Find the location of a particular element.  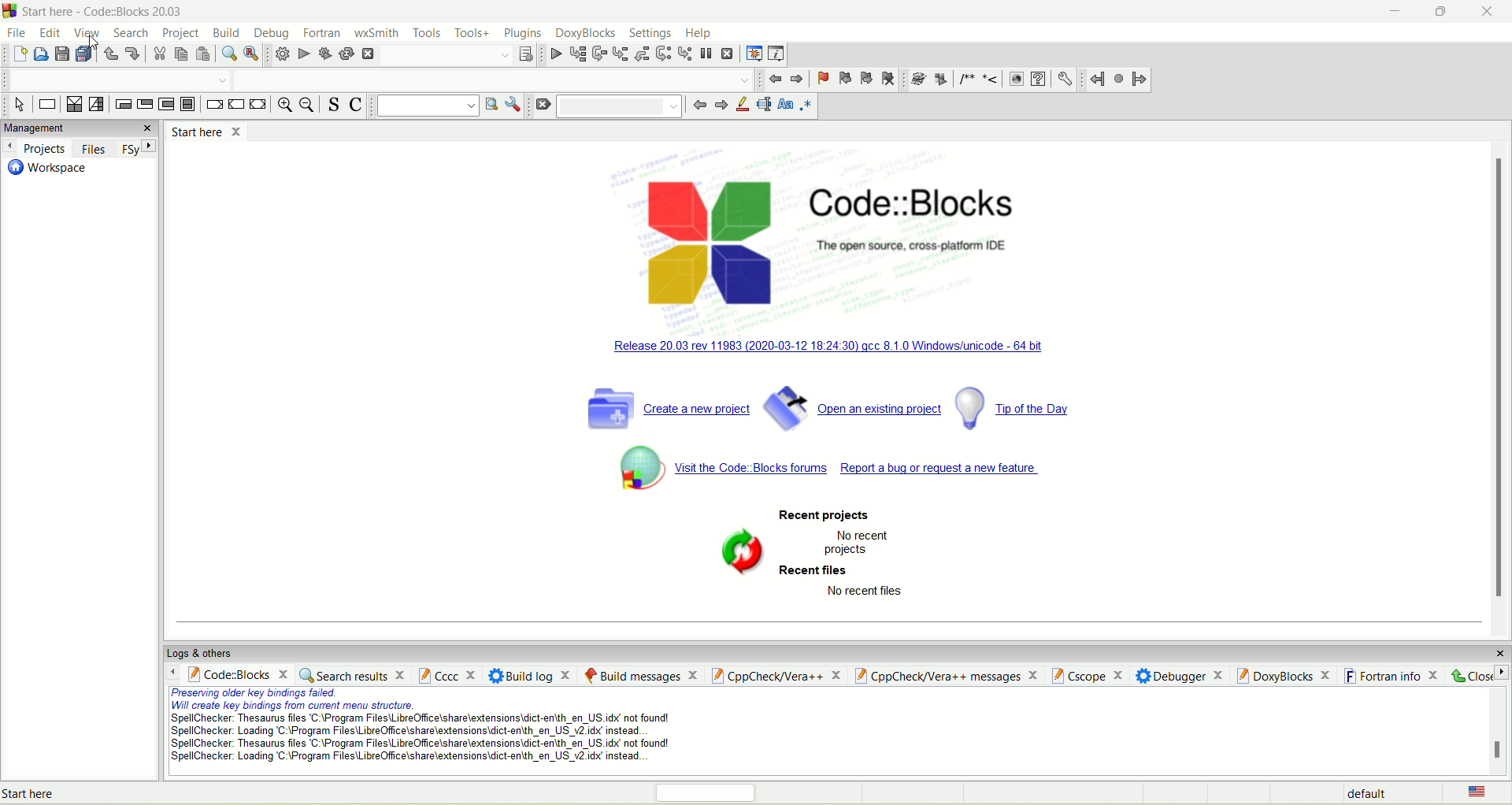

Code::Blocks
The open source, cross-platform IDE is located at coordinates (917, 222).